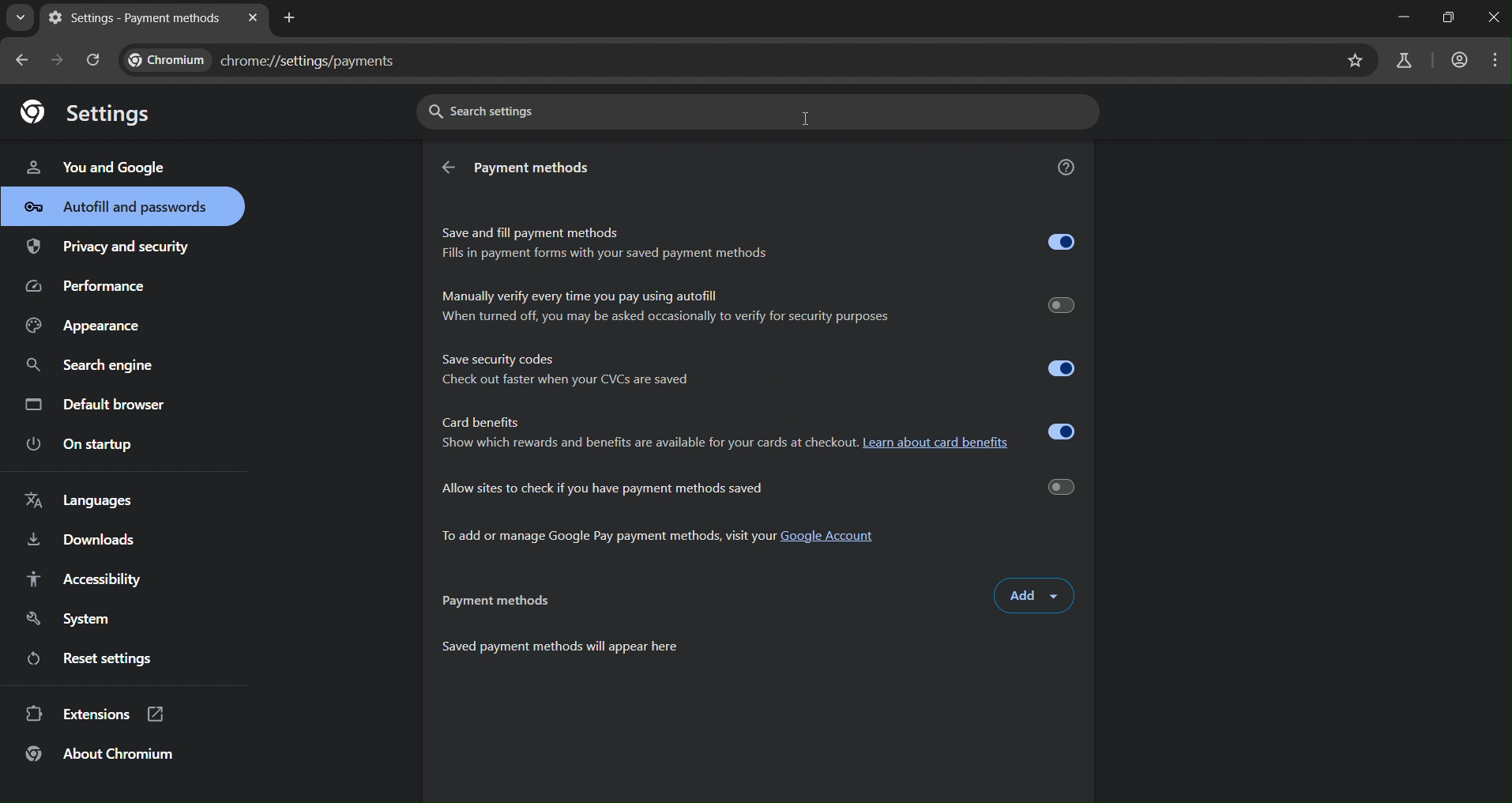  Describe the element at coordinates (1066, 167) in the screenshot. I see `get help` at that location.